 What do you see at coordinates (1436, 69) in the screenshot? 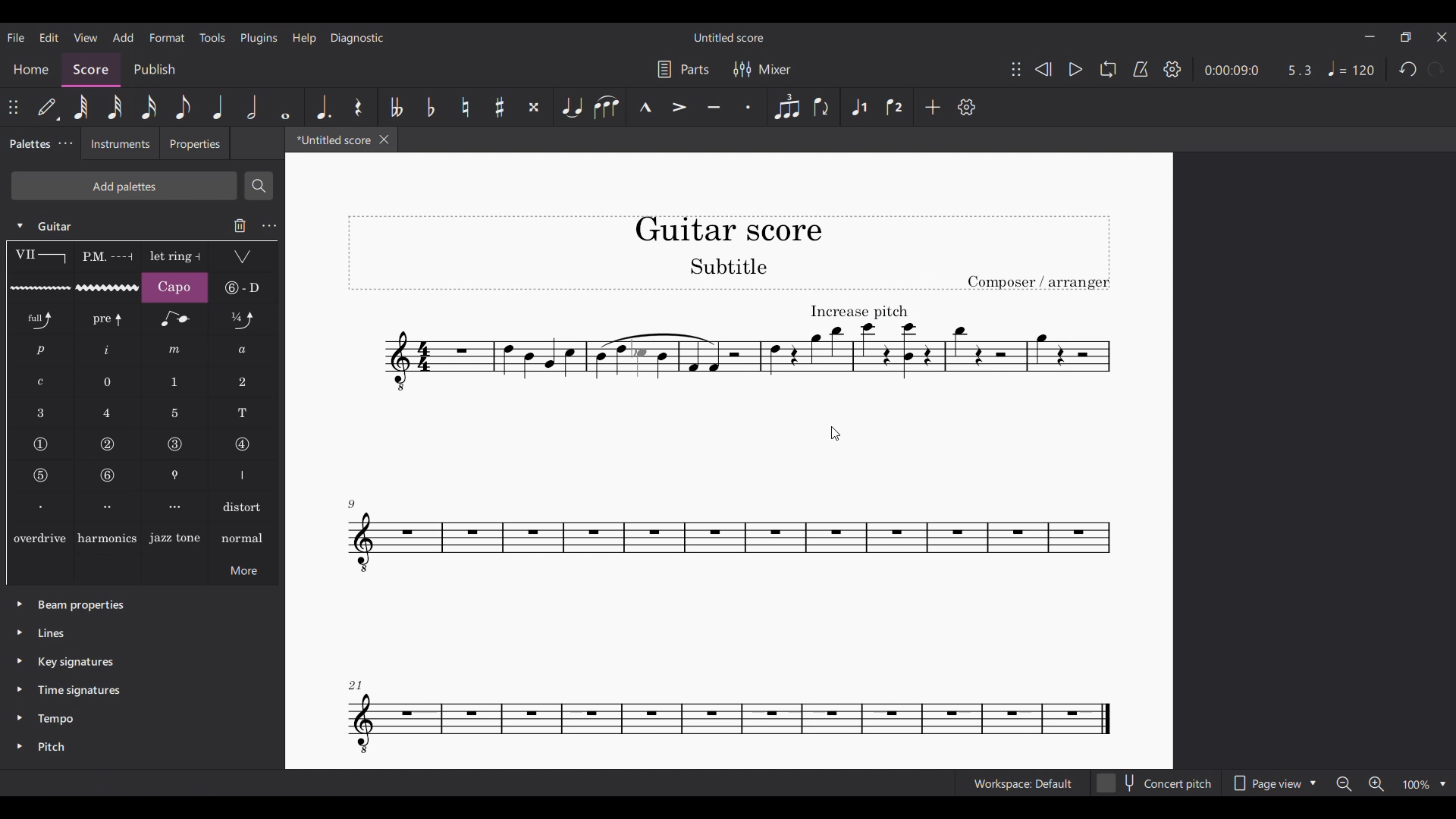
I see `Redo` at bounding box center [1436, 69].